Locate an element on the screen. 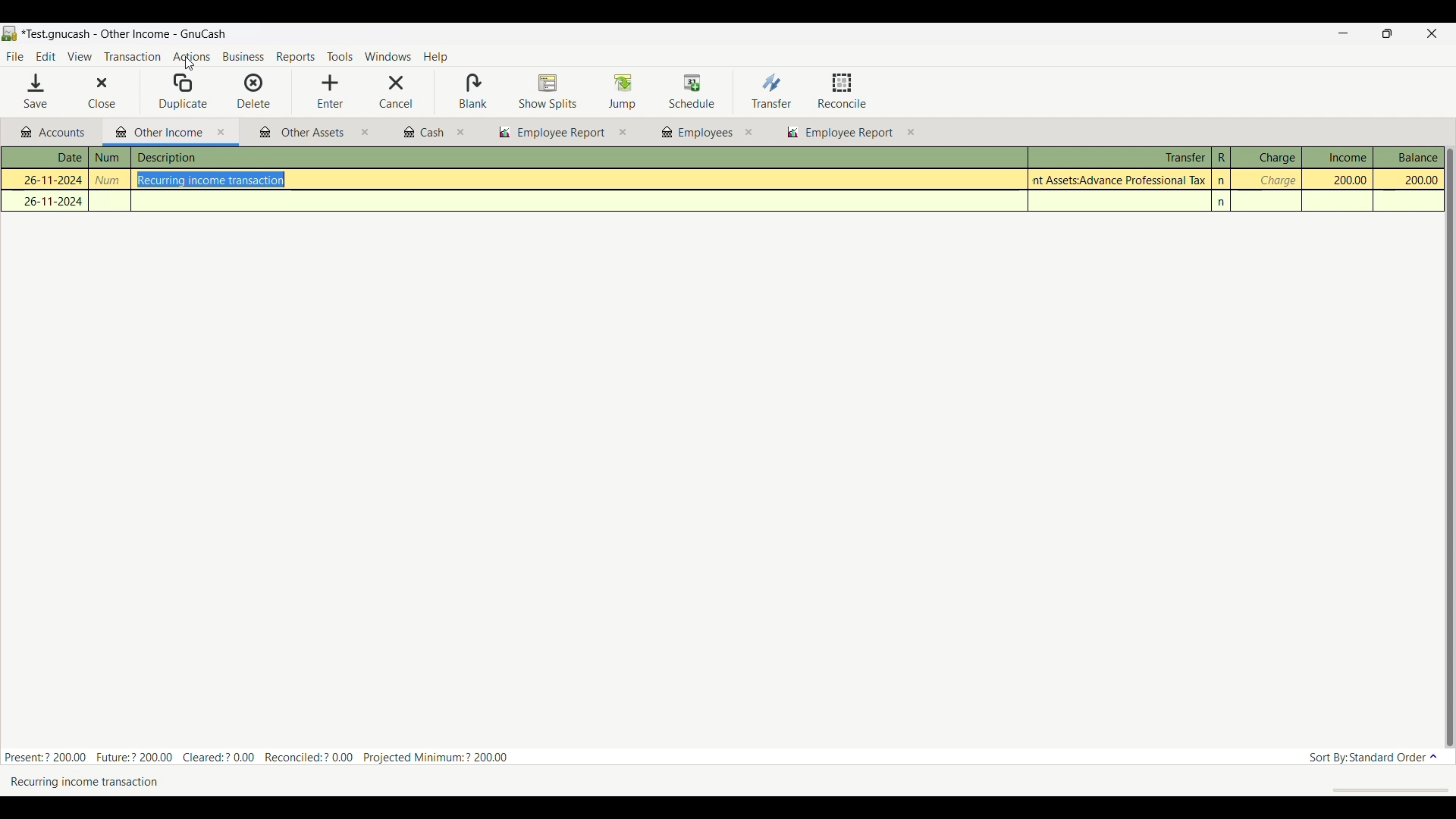  Close interface is located at coordinates (1429, 35).